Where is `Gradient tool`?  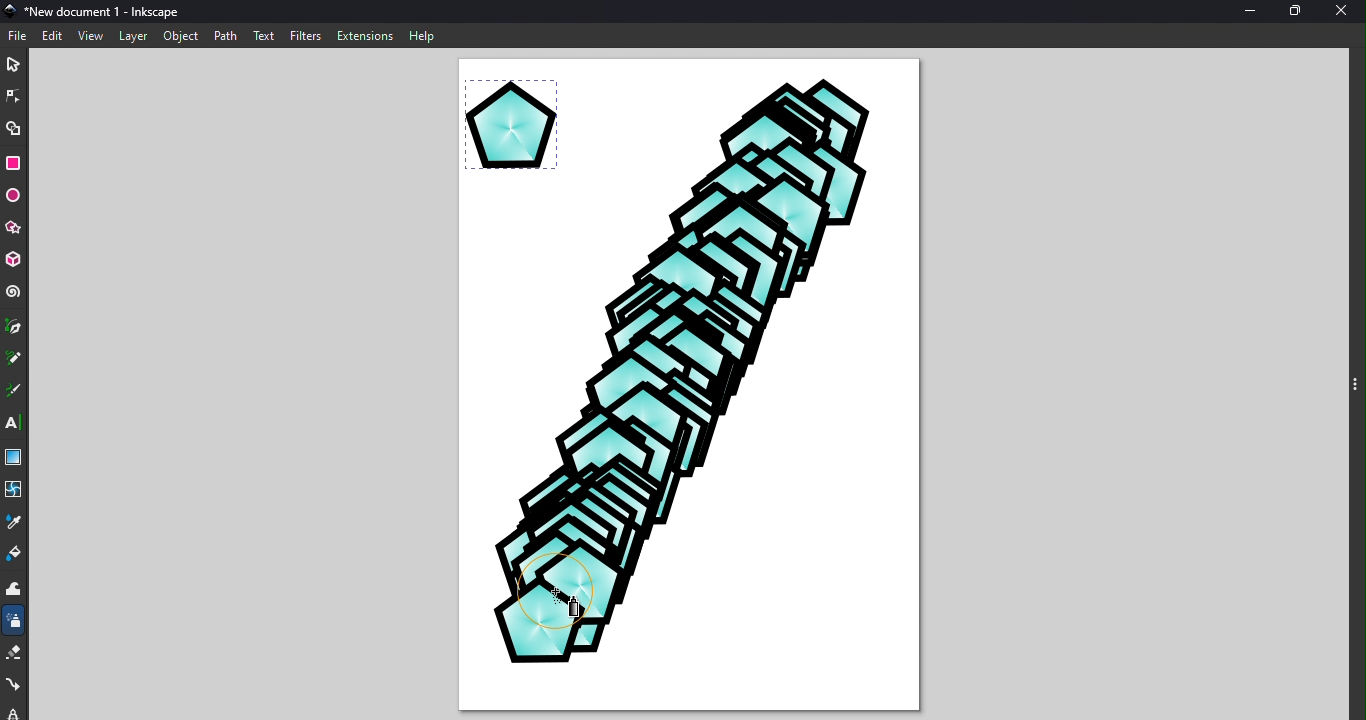
Gradient tool is located at coordinates (14, 456).